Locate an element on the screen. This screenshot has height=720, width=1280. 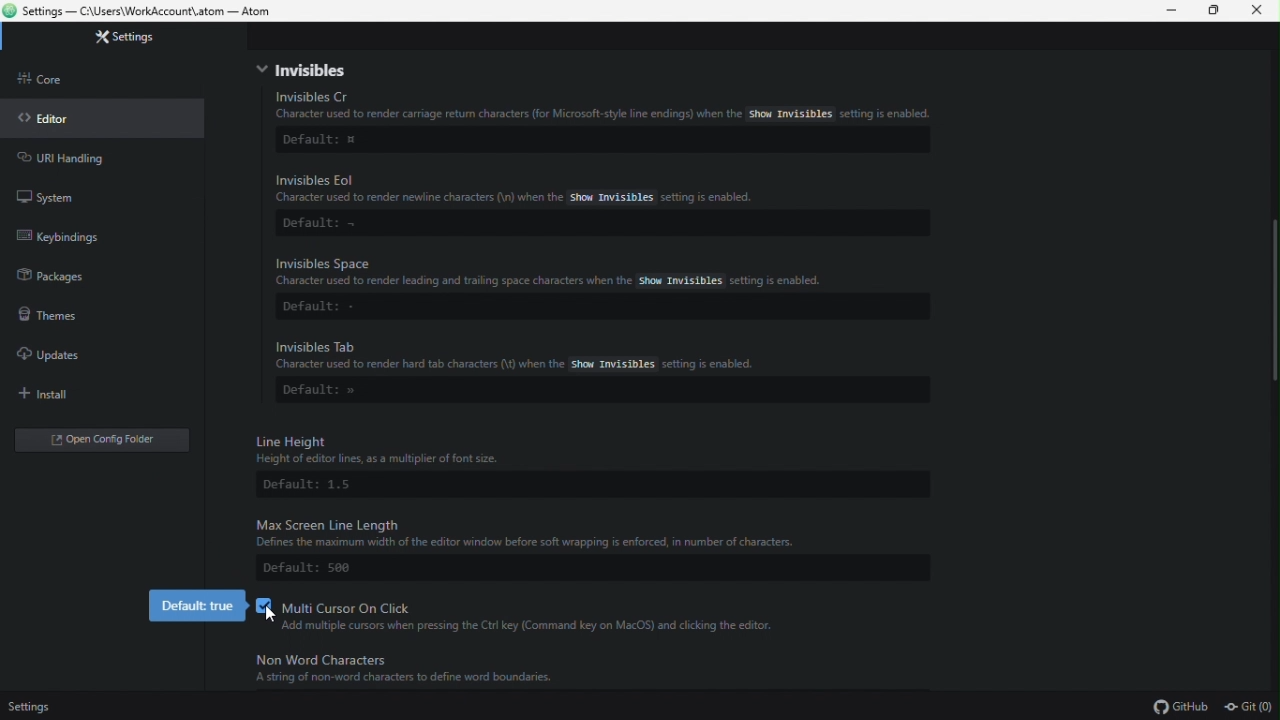
Default: 500 is located at coordinates (327, 570).